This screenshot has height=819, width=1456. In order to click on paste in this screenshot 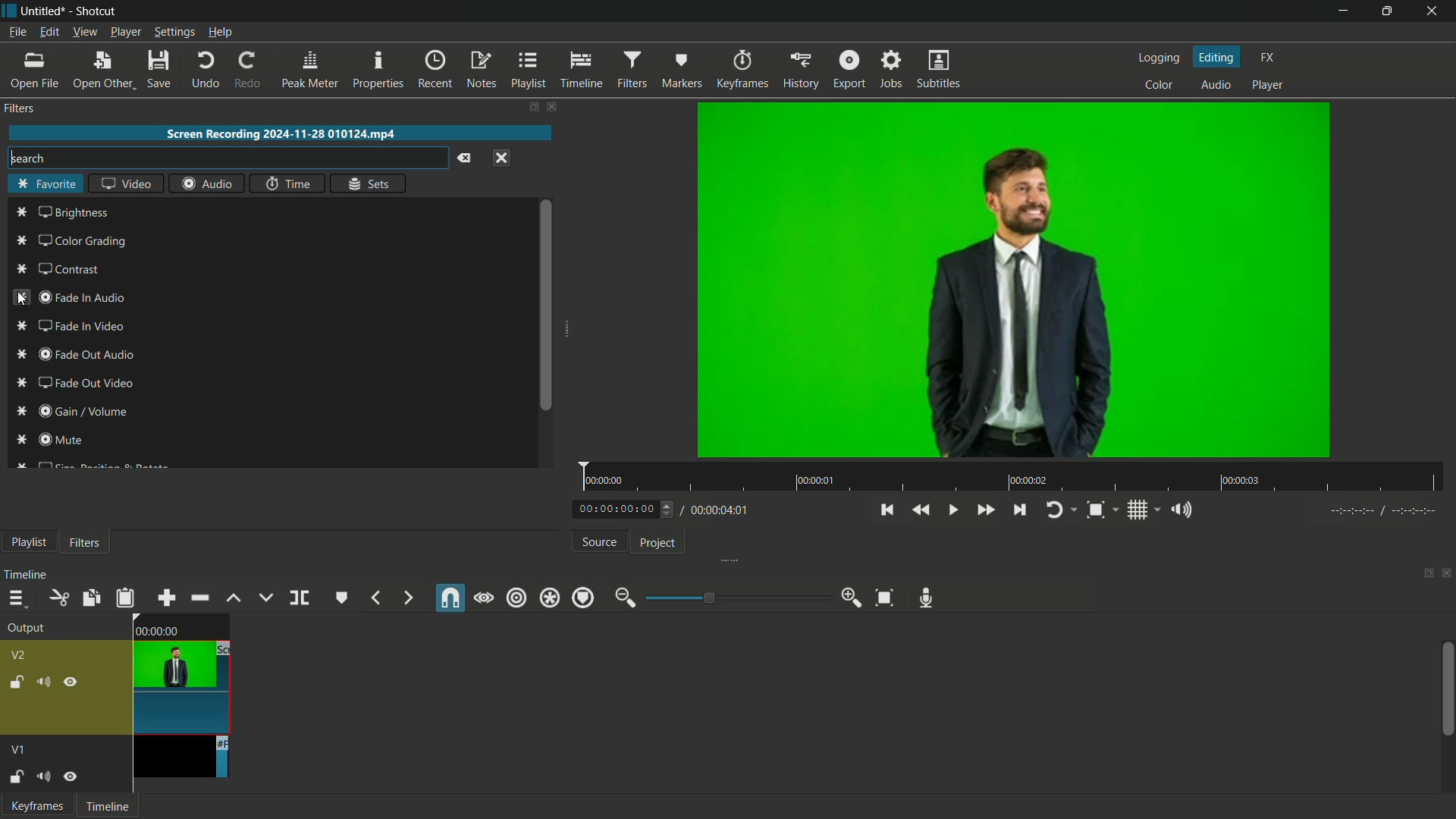, I will do `click(125, 598)`.